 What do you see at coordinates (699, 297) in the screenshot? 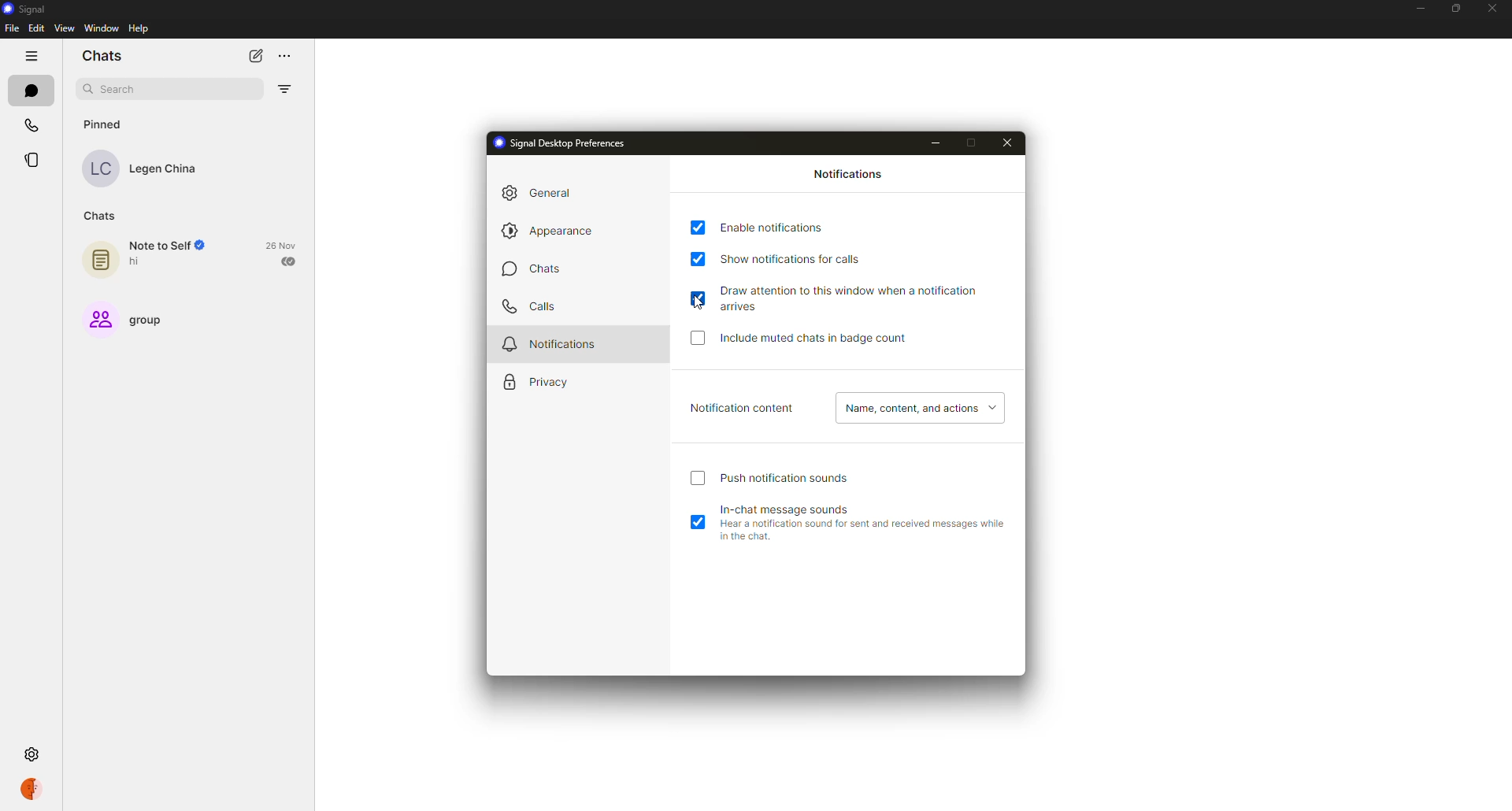
I see `enabled` at bounding box center [699, 297].